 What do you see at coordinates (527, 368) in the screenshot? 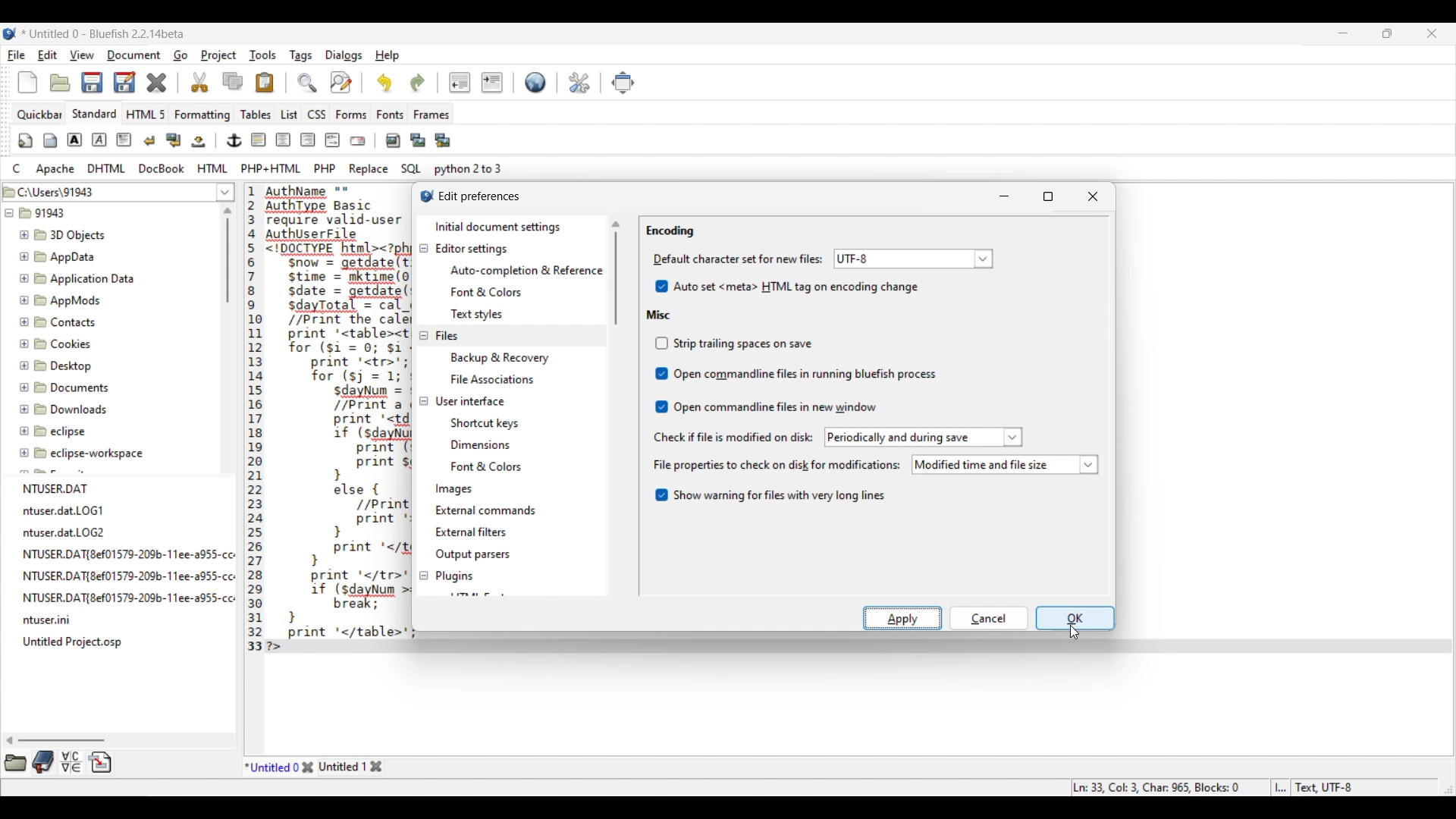
I see `Files setting options` at bounding box center [527, 368].